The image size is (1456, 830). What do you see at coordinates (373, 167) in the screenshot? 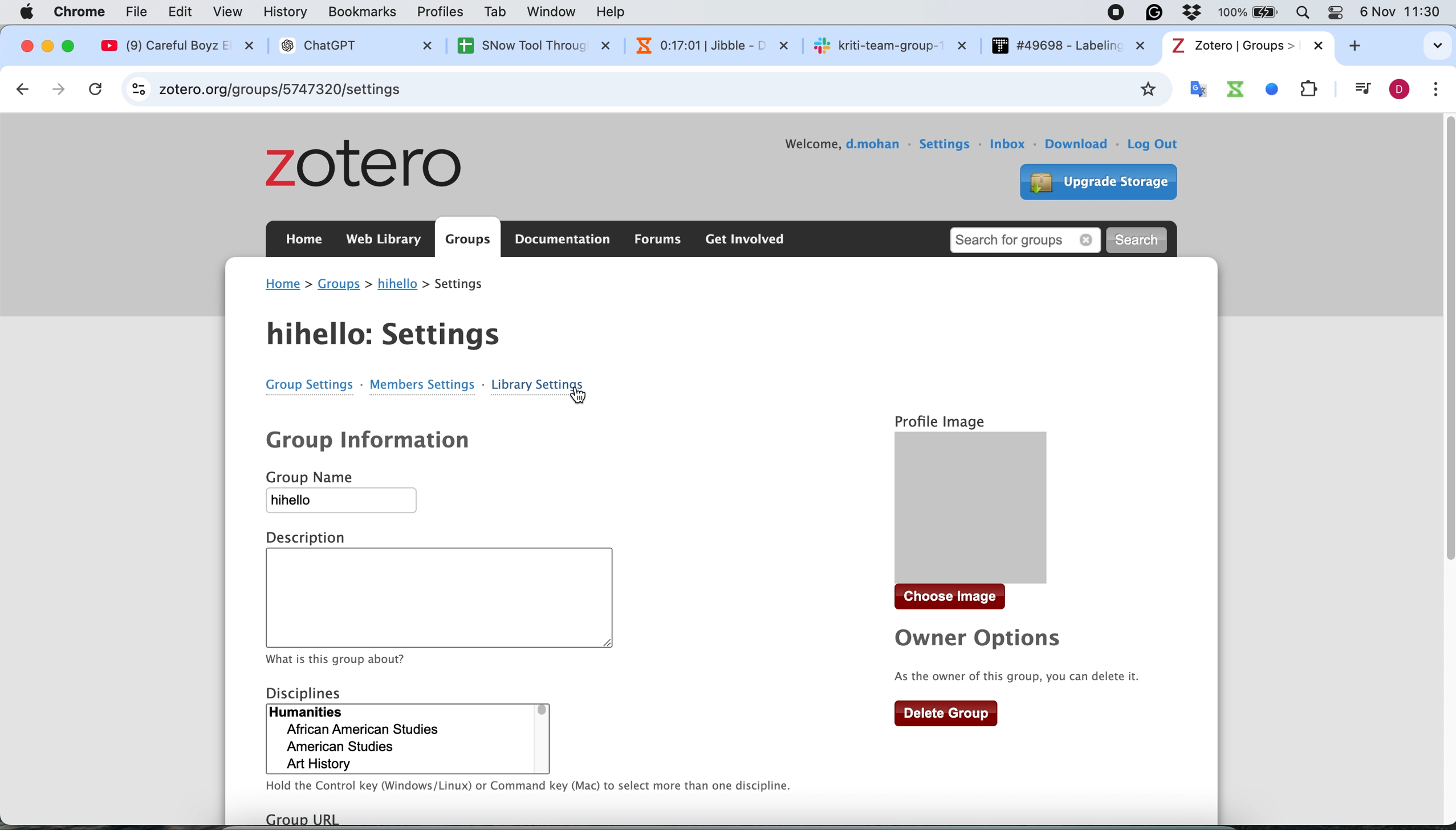
I see `zotero` at bounding box center [373, 167].